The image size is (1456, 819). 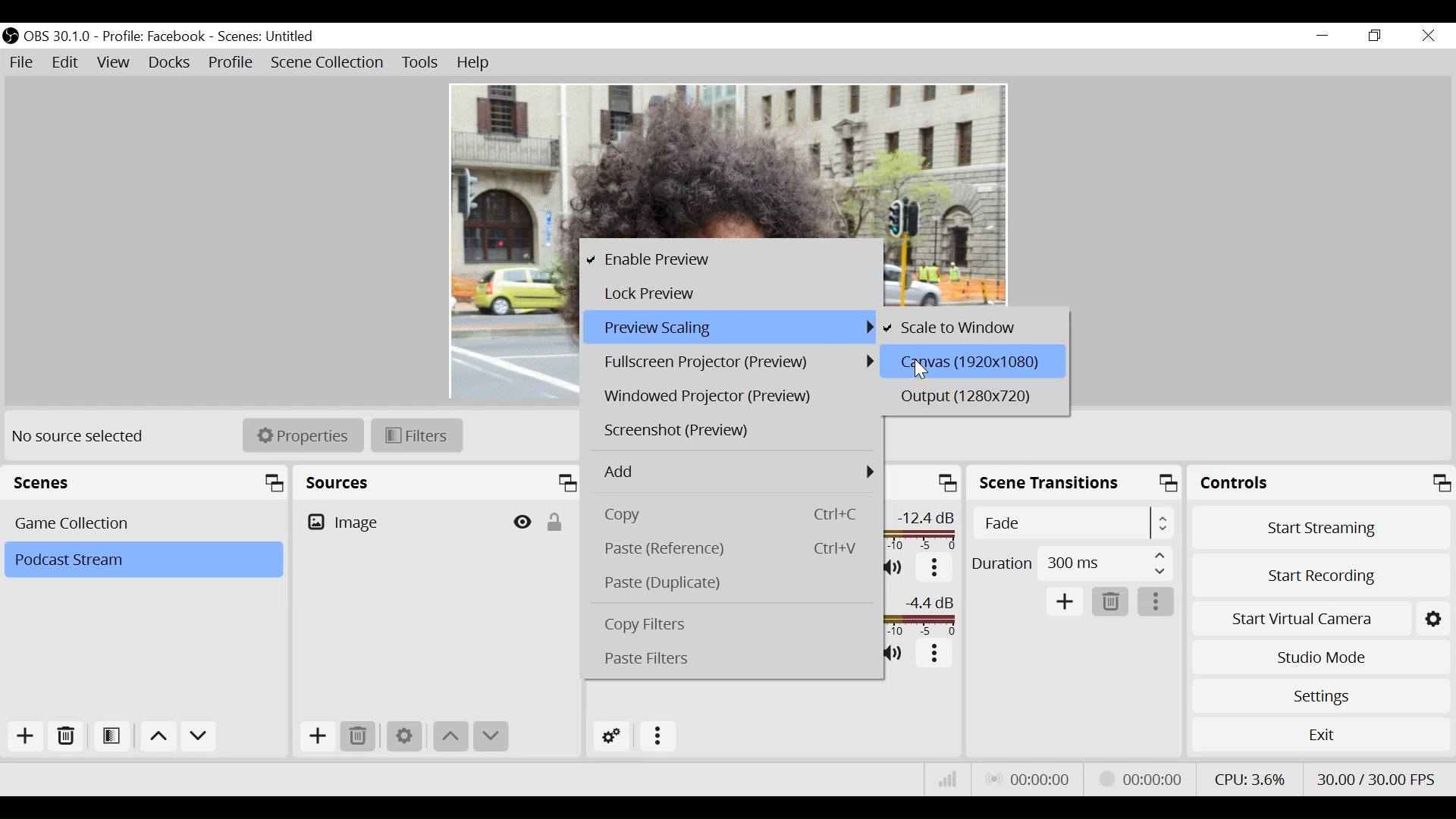 What do you see at coordinates (1323, 694) in the screenshot?
I see `Settings` at bounding box center [1323, 694].